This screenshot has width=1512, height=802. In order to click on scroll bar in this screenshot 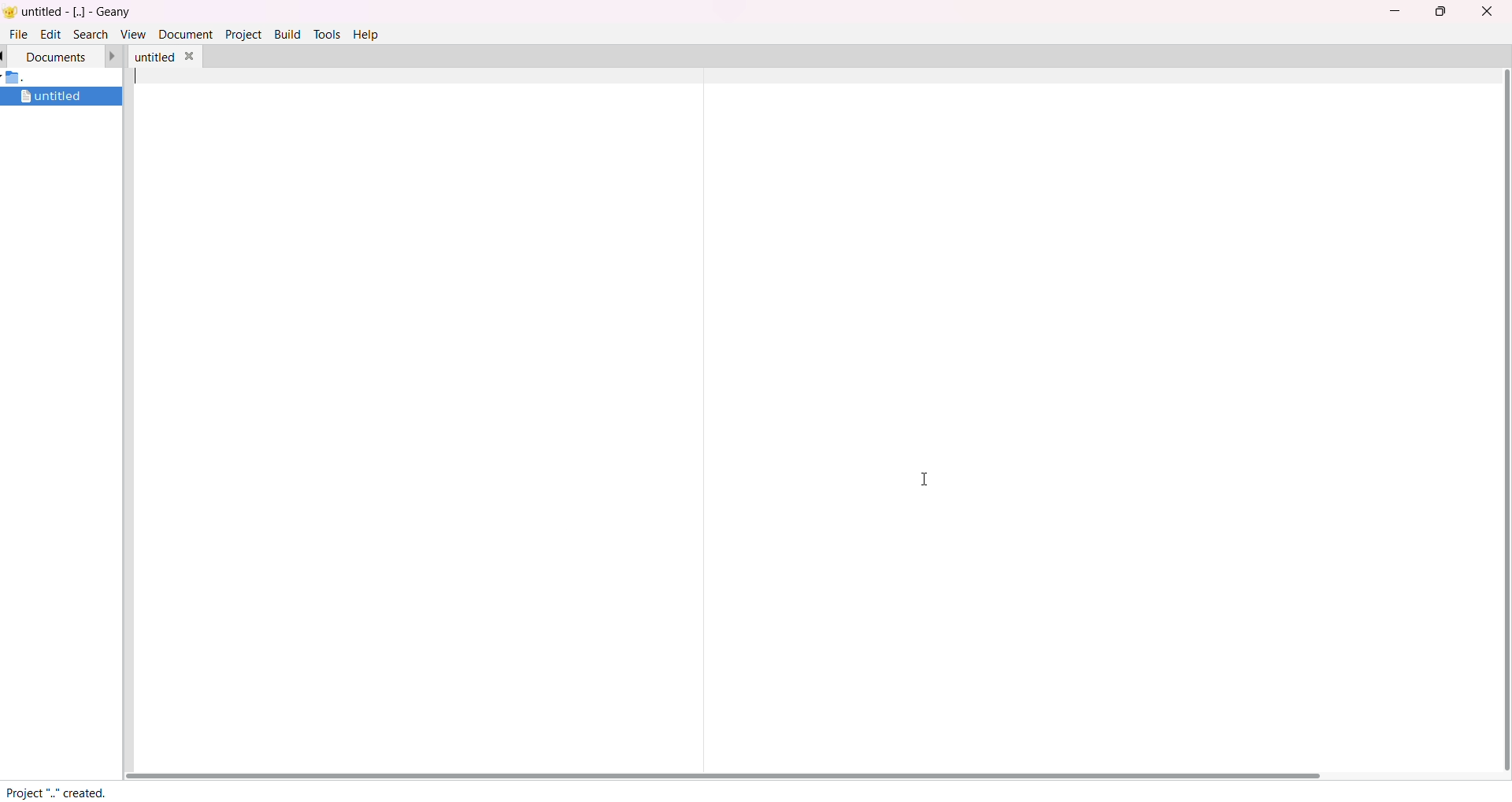, I will do `click(1504, 421)`.